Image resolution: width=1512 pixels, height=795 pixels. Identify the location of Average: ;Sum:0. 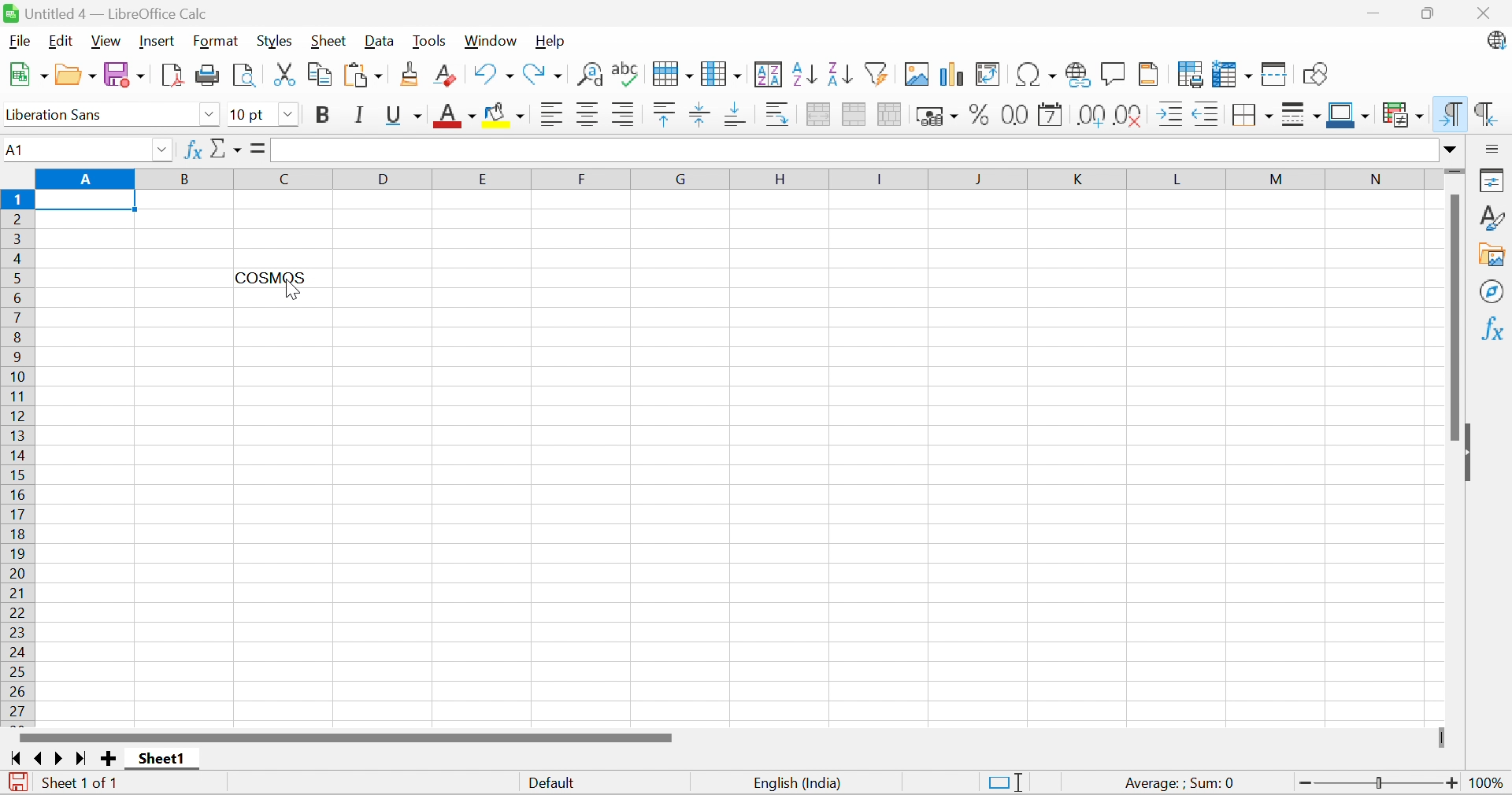
(1180, 784).